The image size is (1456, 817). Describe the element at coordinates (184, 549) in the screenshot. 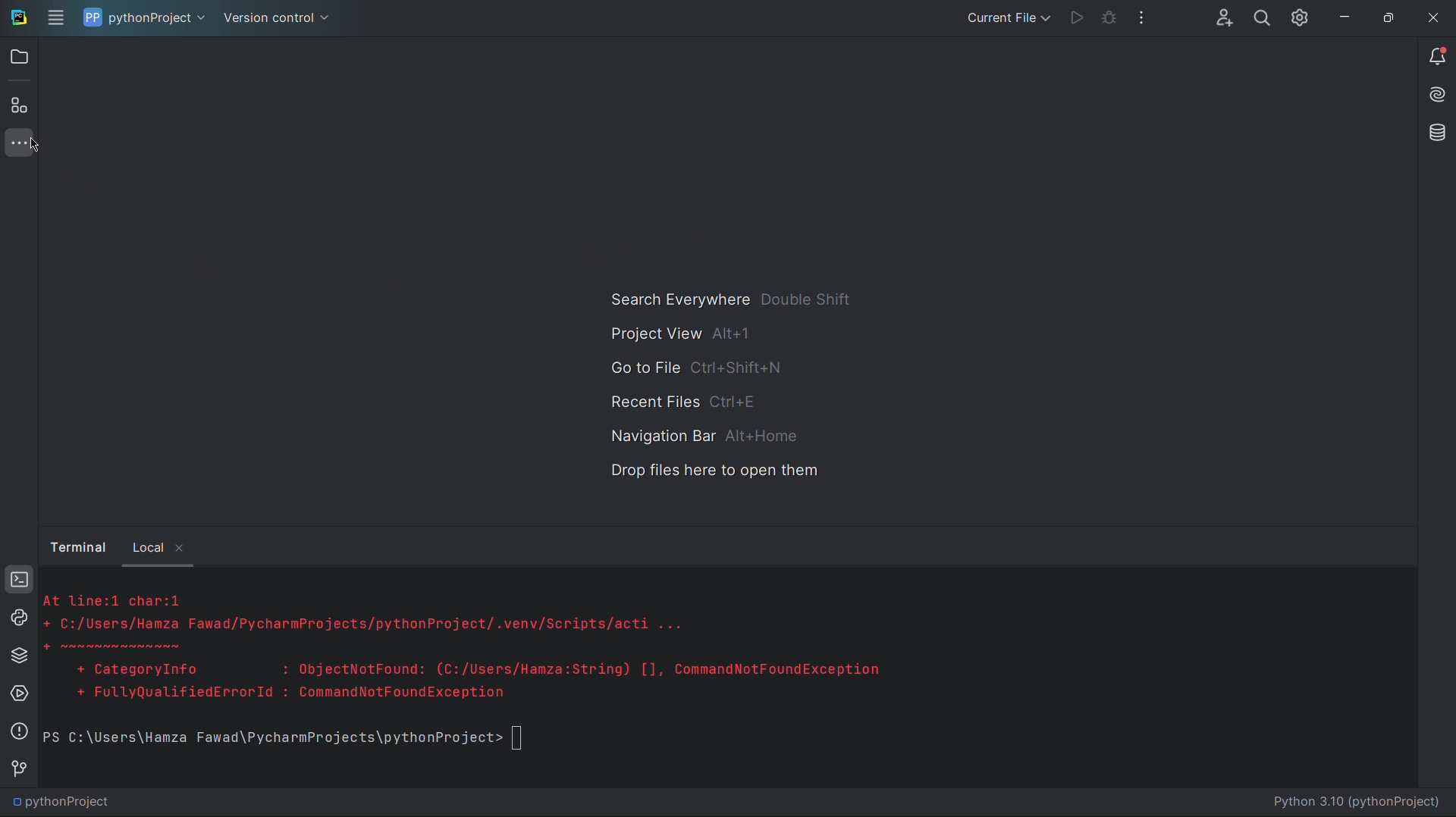

I see `close` at that location.